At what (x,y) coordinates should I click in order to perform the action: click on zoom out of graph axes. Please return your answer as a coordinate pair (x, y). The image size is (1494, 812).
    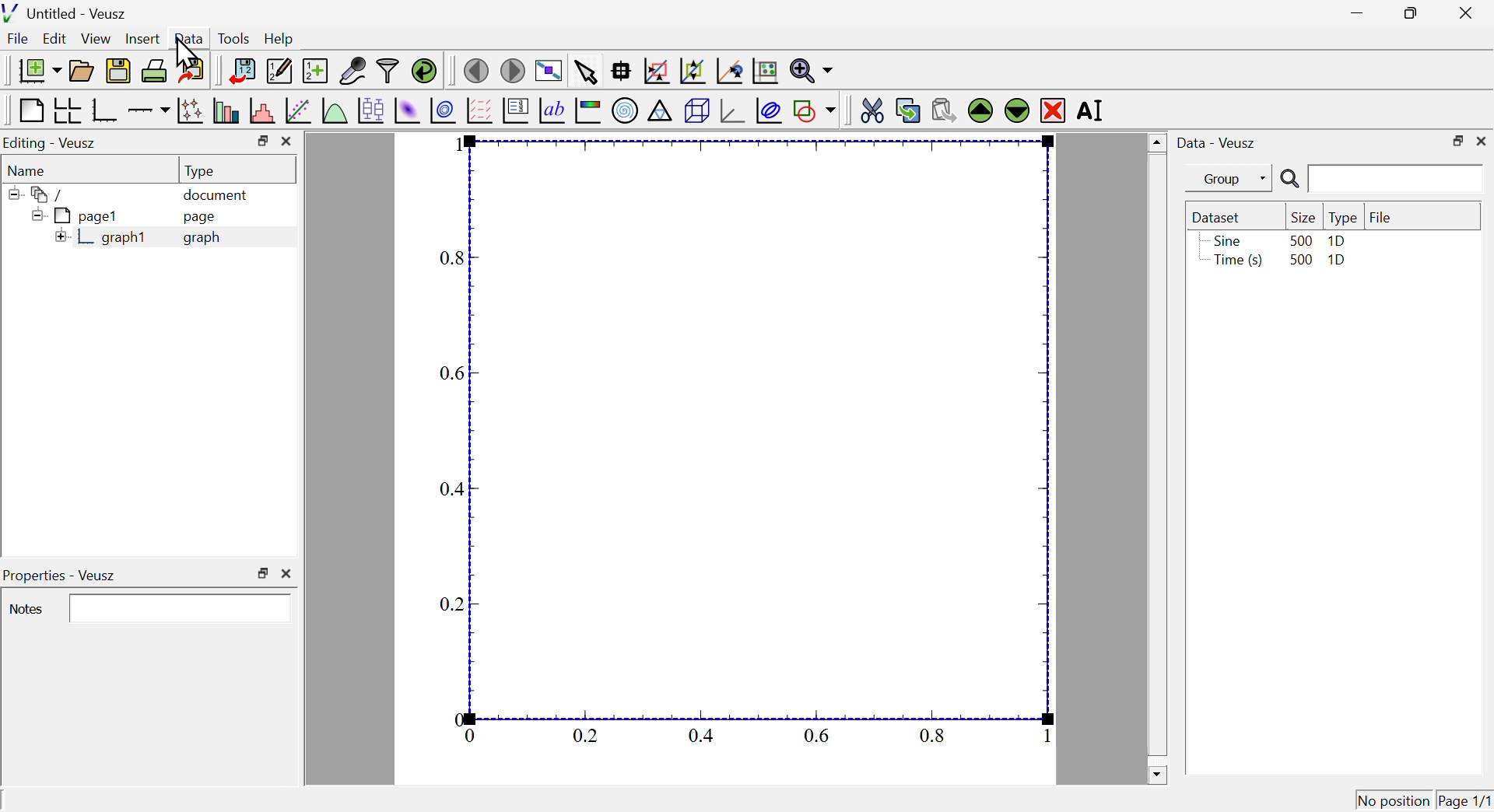
    Looking at the image, I should click on (693, 71).